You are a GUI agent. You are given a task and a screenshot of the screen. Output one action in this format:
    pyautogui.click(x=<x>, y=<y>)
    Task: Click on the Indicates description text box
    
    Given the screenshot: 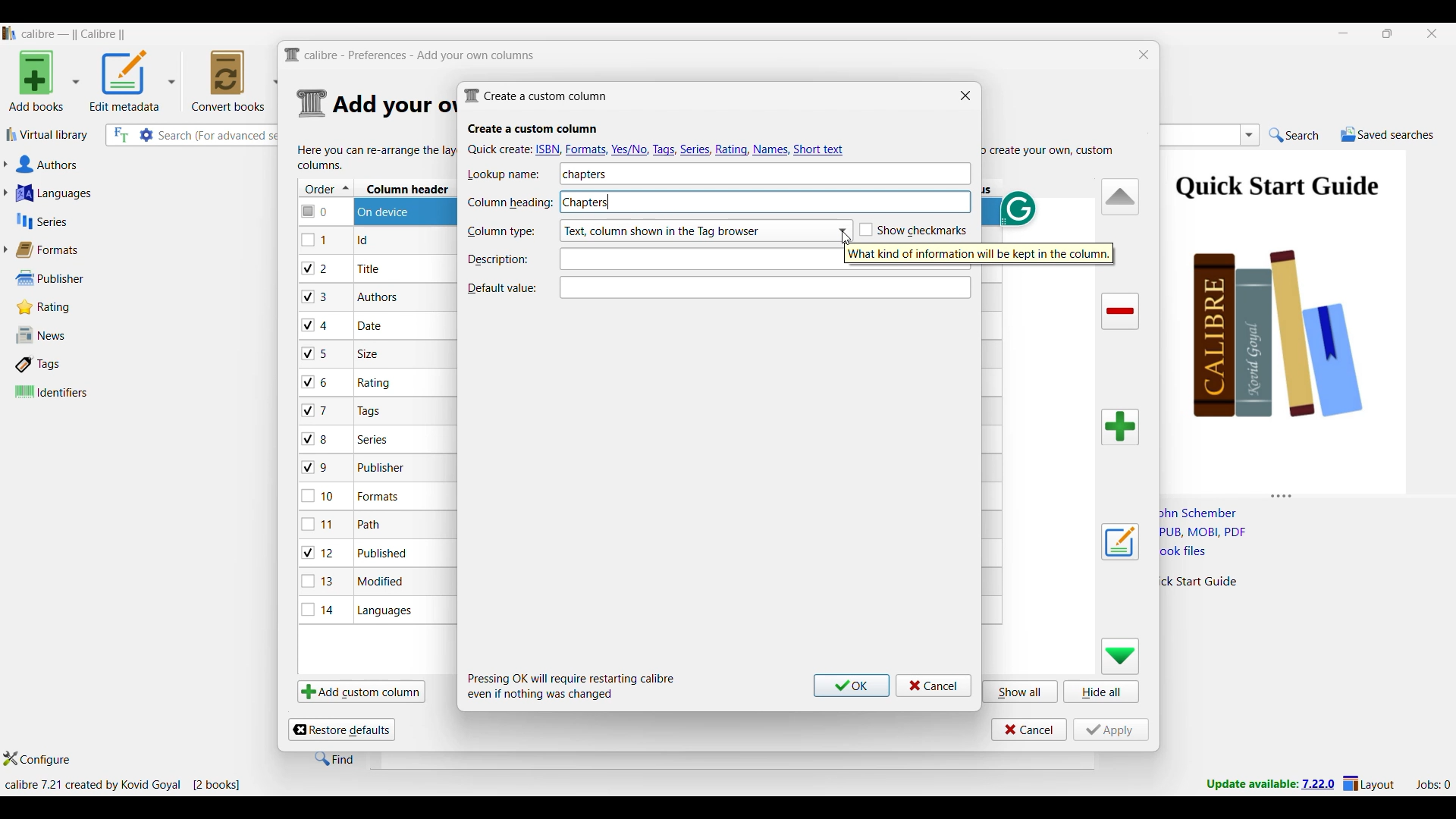 What is the action you would take?
    pyautogui.click(x=498, y=259)
    